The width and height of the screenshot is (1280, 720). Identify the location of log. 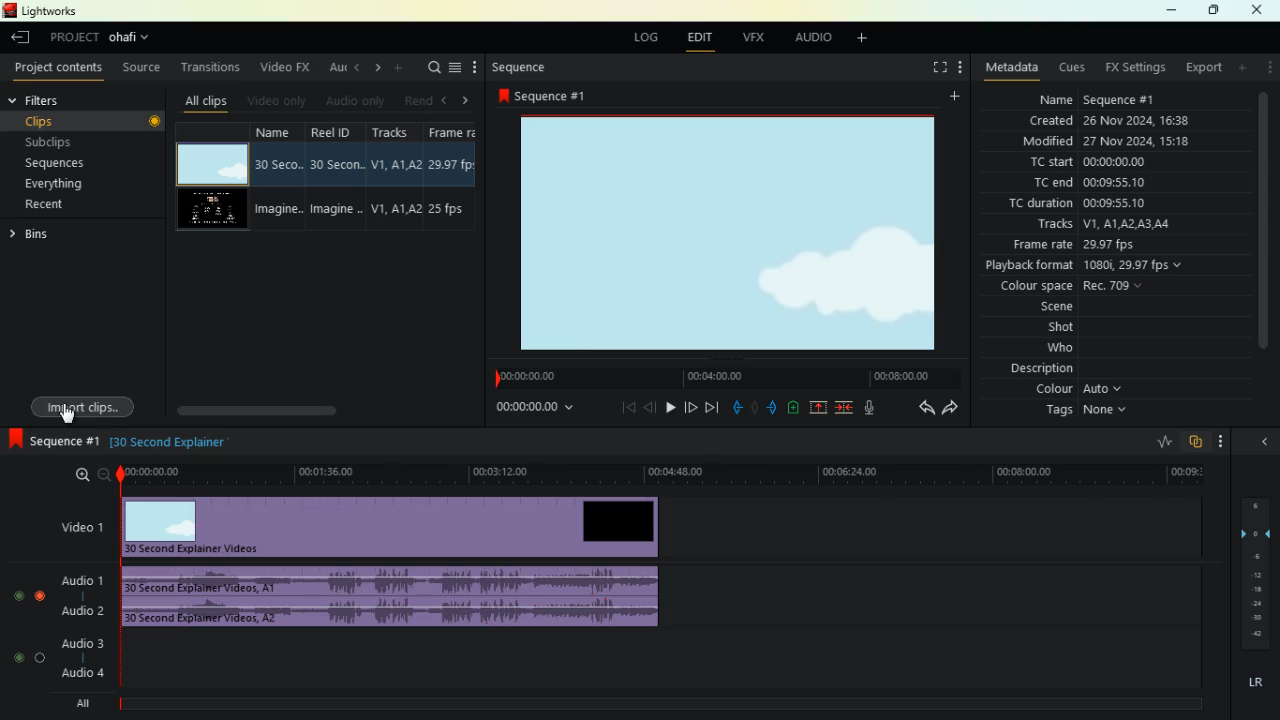
(649, 38).